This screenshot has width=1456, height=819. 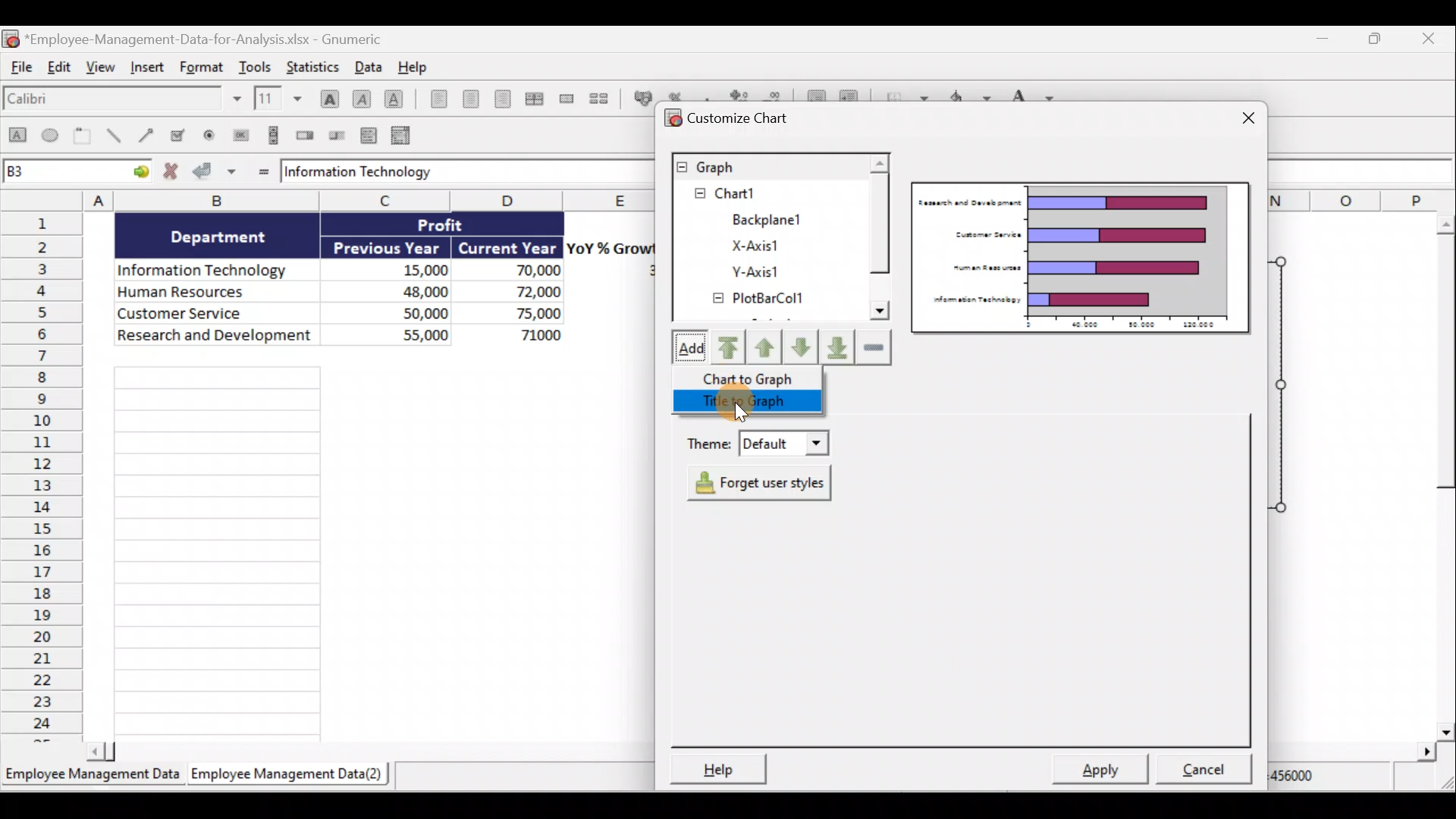 What do you see at coordinates (403, 290) in the screenshot?
I see `48,000` at bounding box center [403, 290].